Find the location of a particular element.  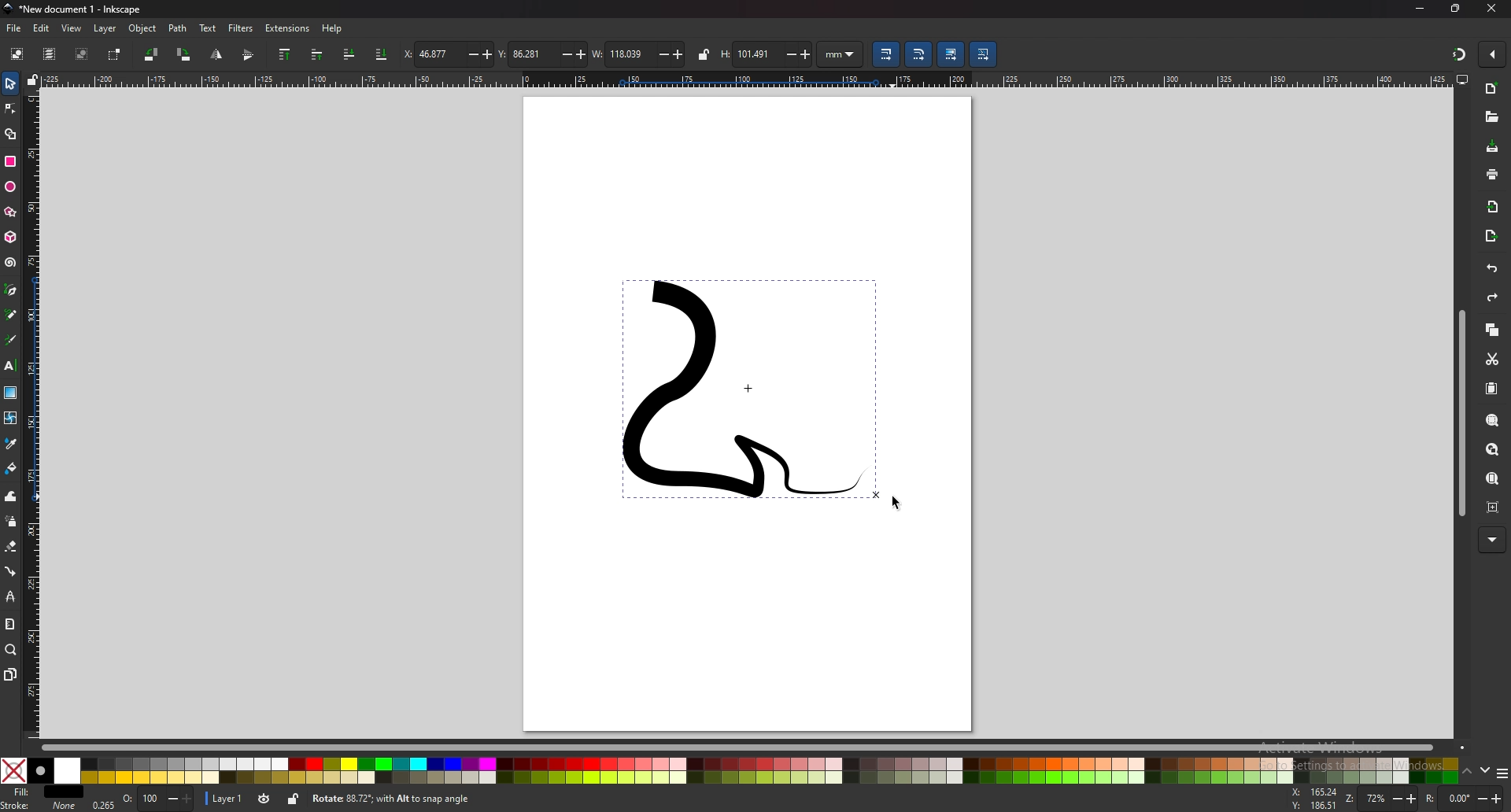

shape builder is located at coordinates (12, 134).